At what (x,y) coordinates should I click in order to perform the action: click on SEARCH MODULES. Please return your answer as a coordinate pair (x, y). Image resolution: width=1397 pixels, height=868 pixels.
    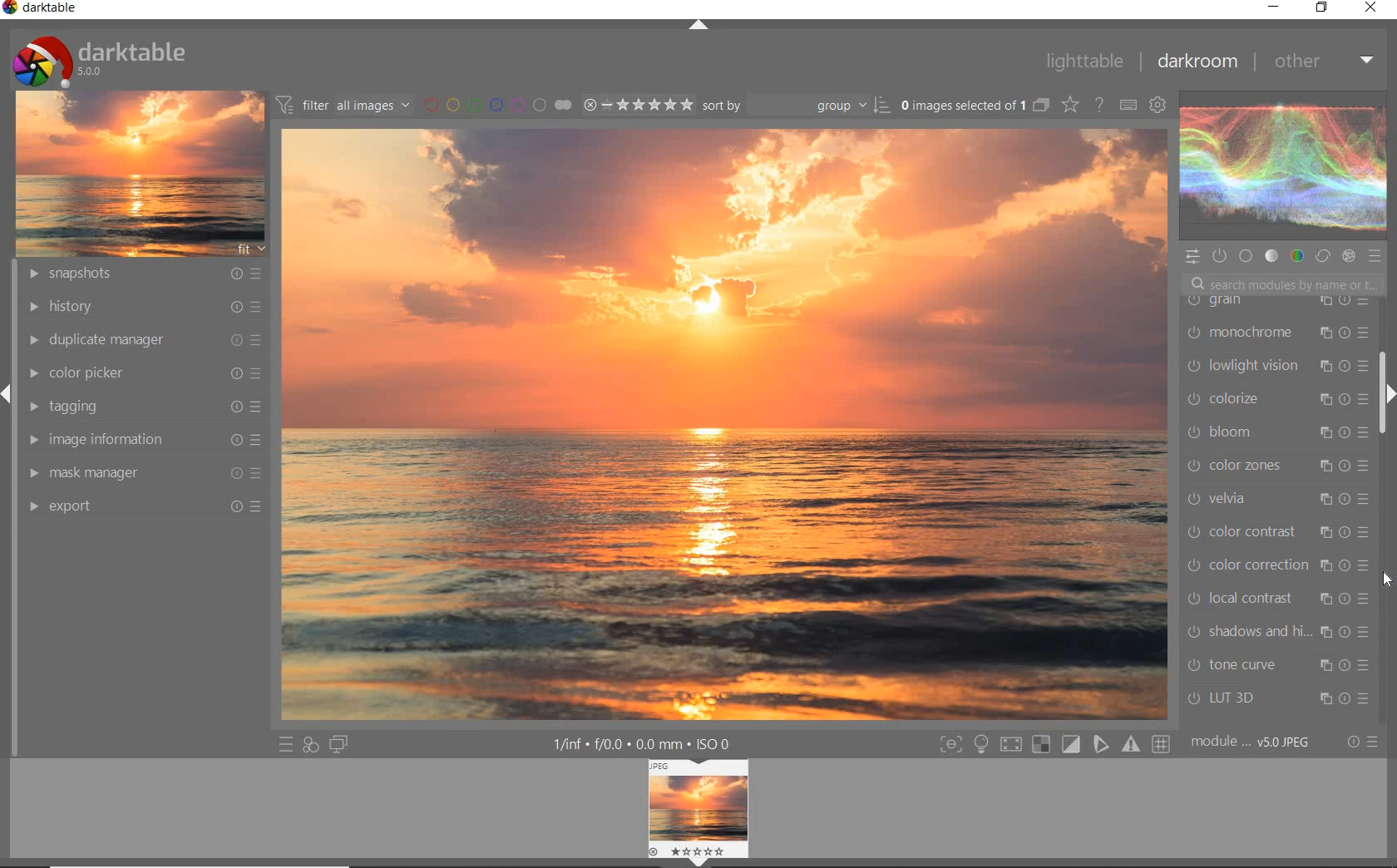
    Looking at the image, I should click on (1284, 284).